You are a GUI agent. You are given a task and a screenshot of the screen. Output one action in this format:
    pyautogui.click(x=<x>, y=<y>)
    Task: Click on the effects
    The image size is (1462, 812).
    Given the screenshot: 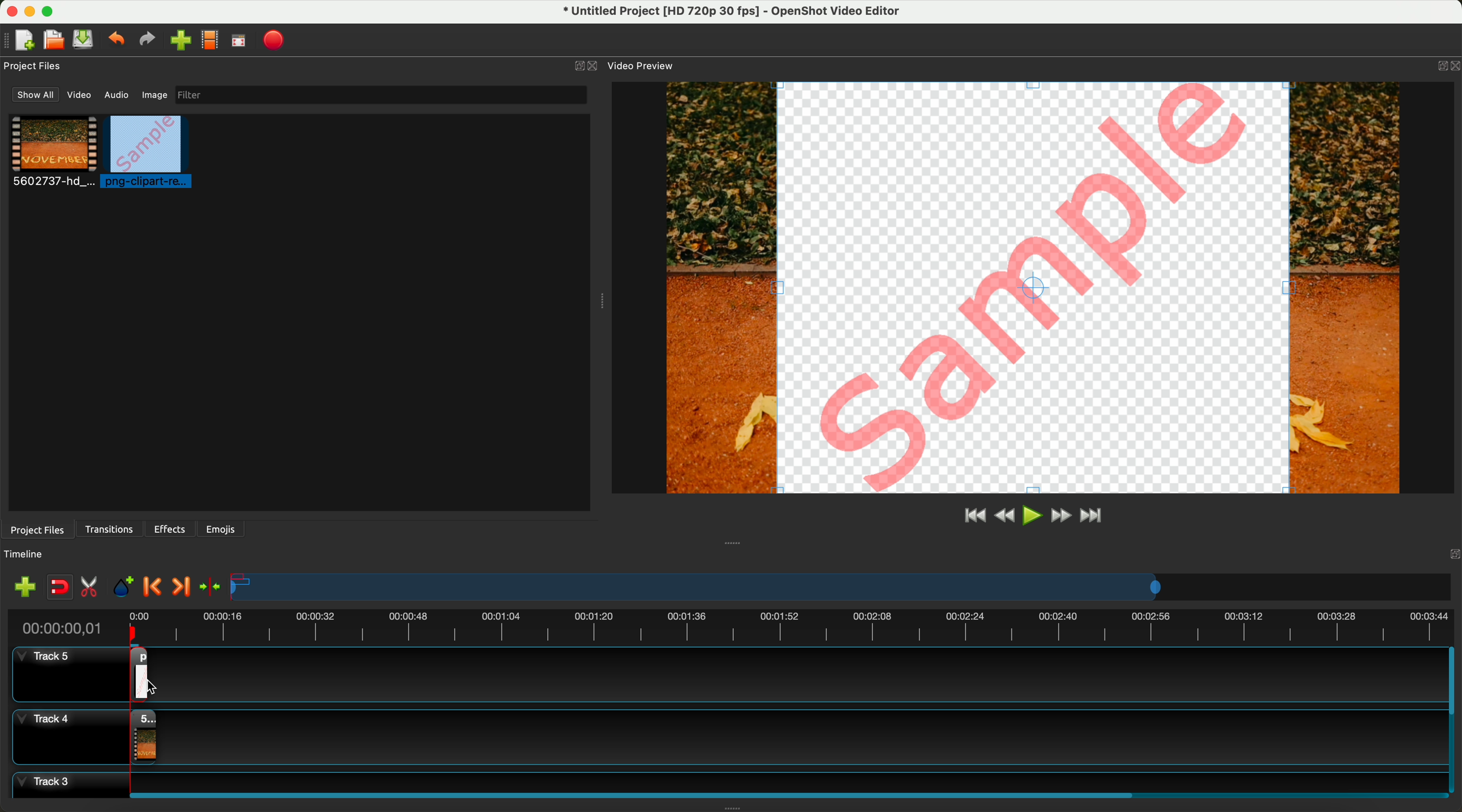 What is the action you would take?
    pyautogui.click(x=171, y=529)
    